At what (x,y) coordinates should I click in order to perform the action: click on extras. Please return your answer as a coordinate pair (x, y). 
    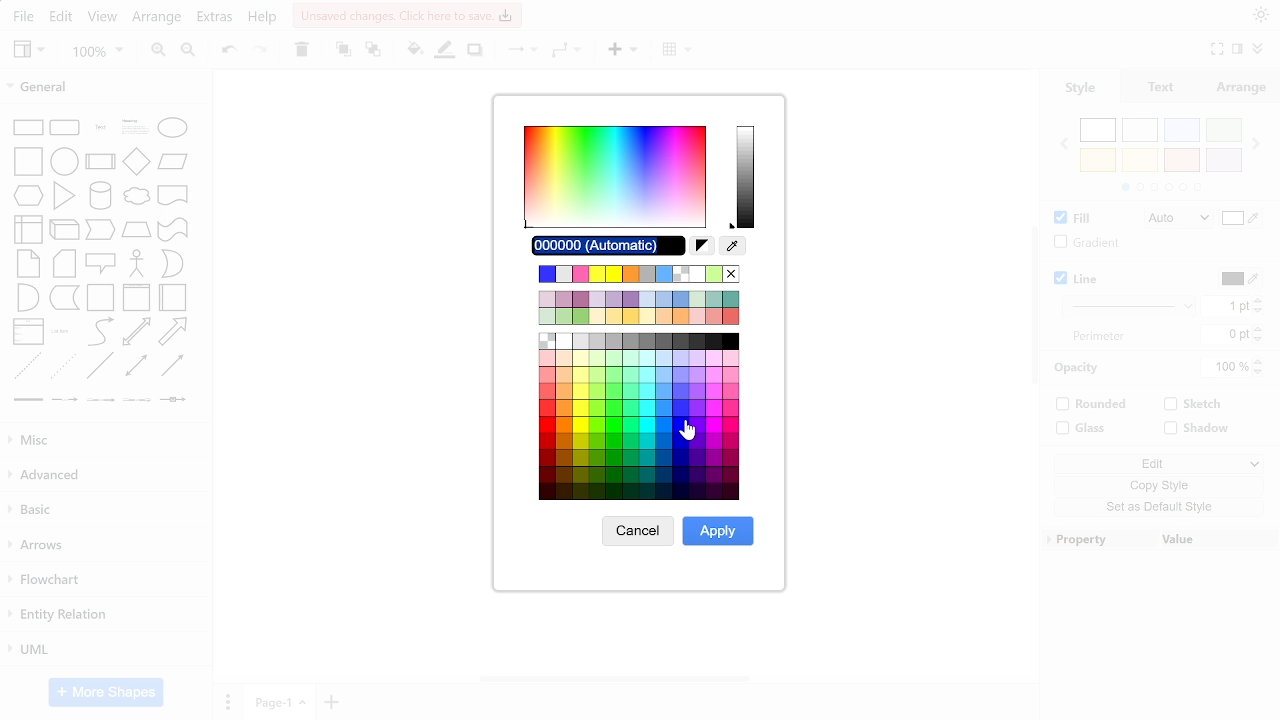
    Looking at the image, I should click on (216, 19).